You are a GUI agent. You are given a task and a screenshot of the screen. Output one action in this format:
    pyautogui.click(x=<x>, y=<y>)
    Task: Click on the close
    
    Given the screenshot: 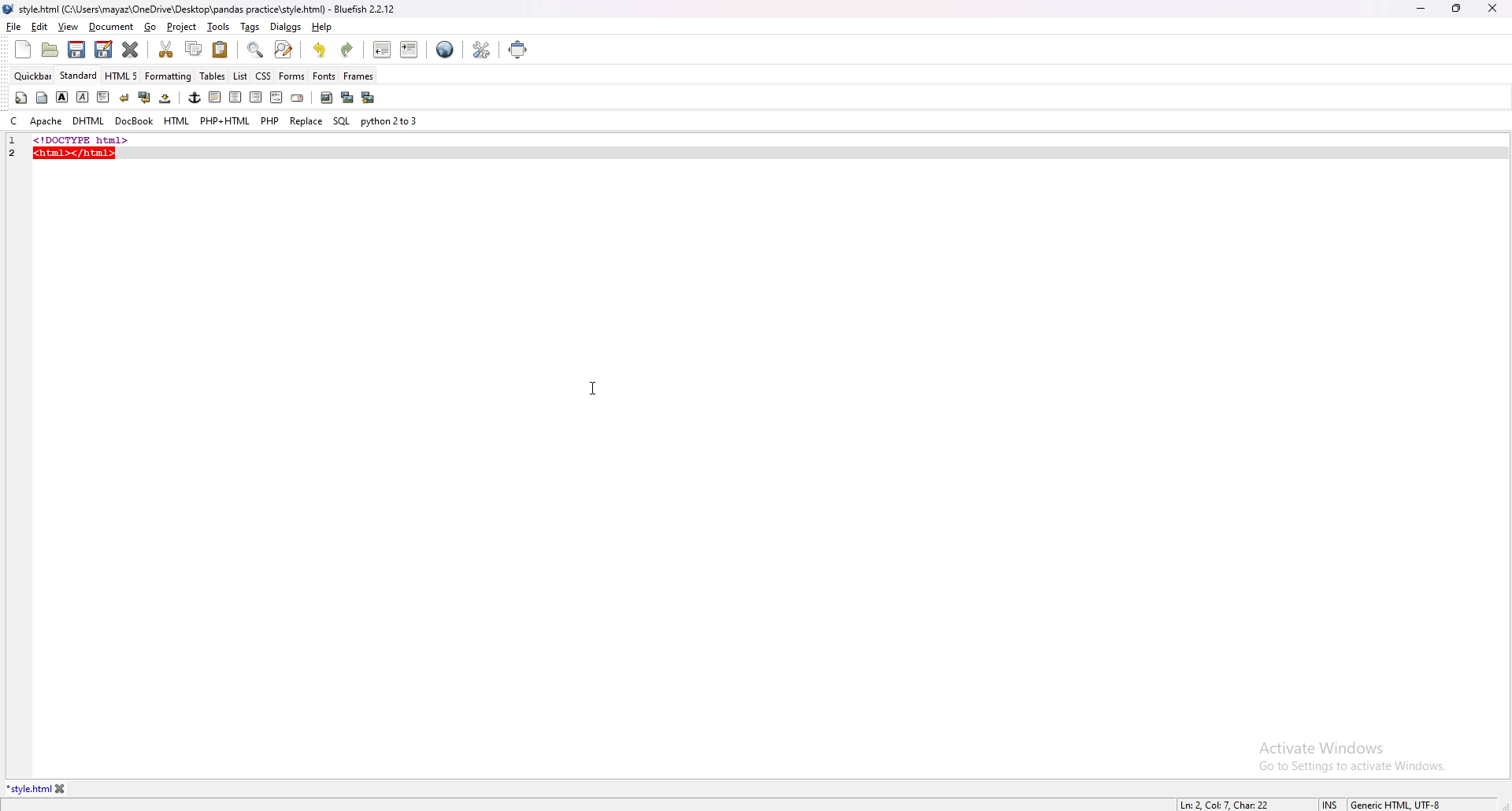 What is the action you would take?
    pyautogui.click(x=1492, y=8)
    